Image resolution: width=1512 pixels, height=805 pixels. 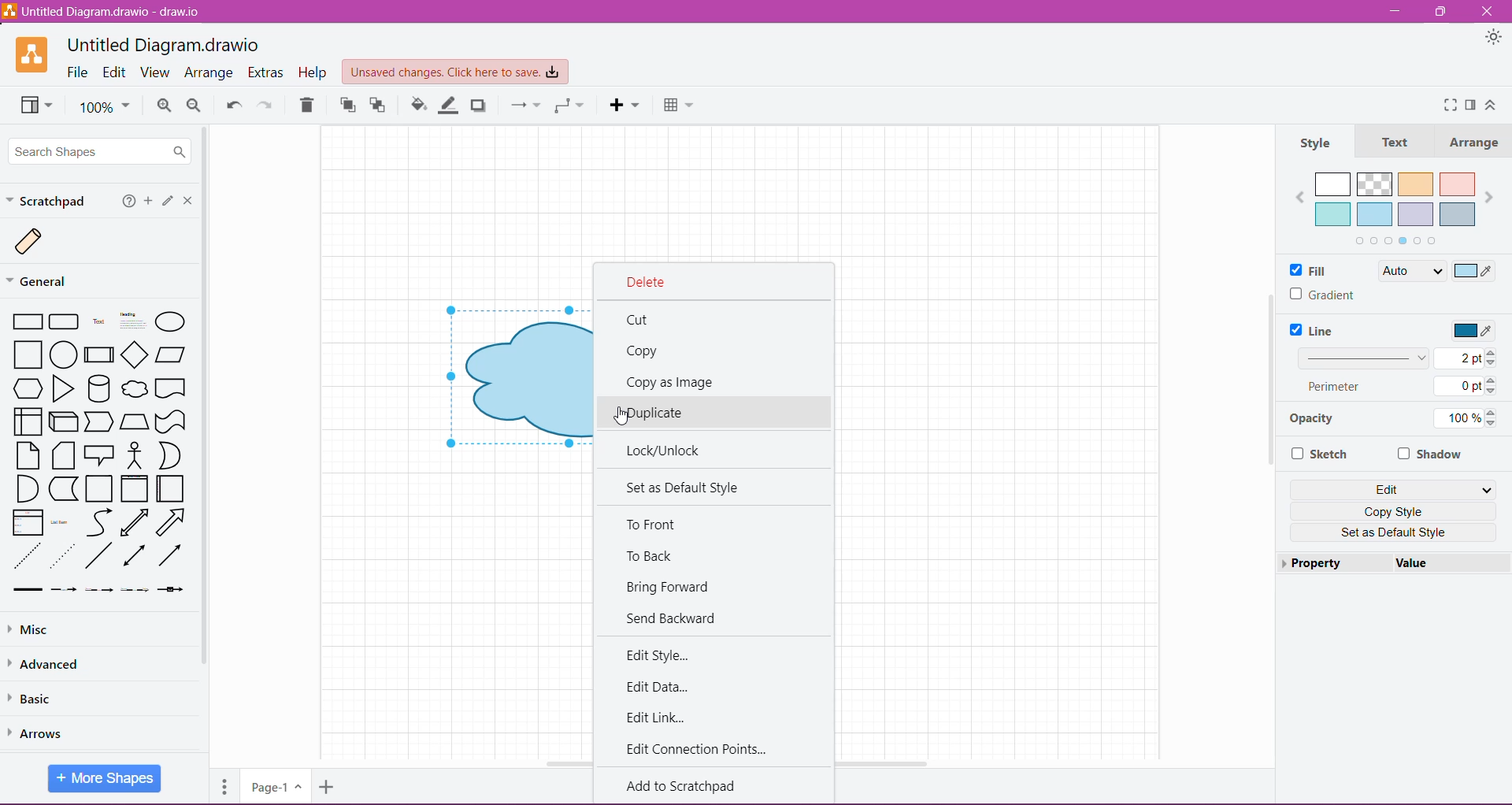 I want to click on Set as Default Style, so click(x=1395, y=532).